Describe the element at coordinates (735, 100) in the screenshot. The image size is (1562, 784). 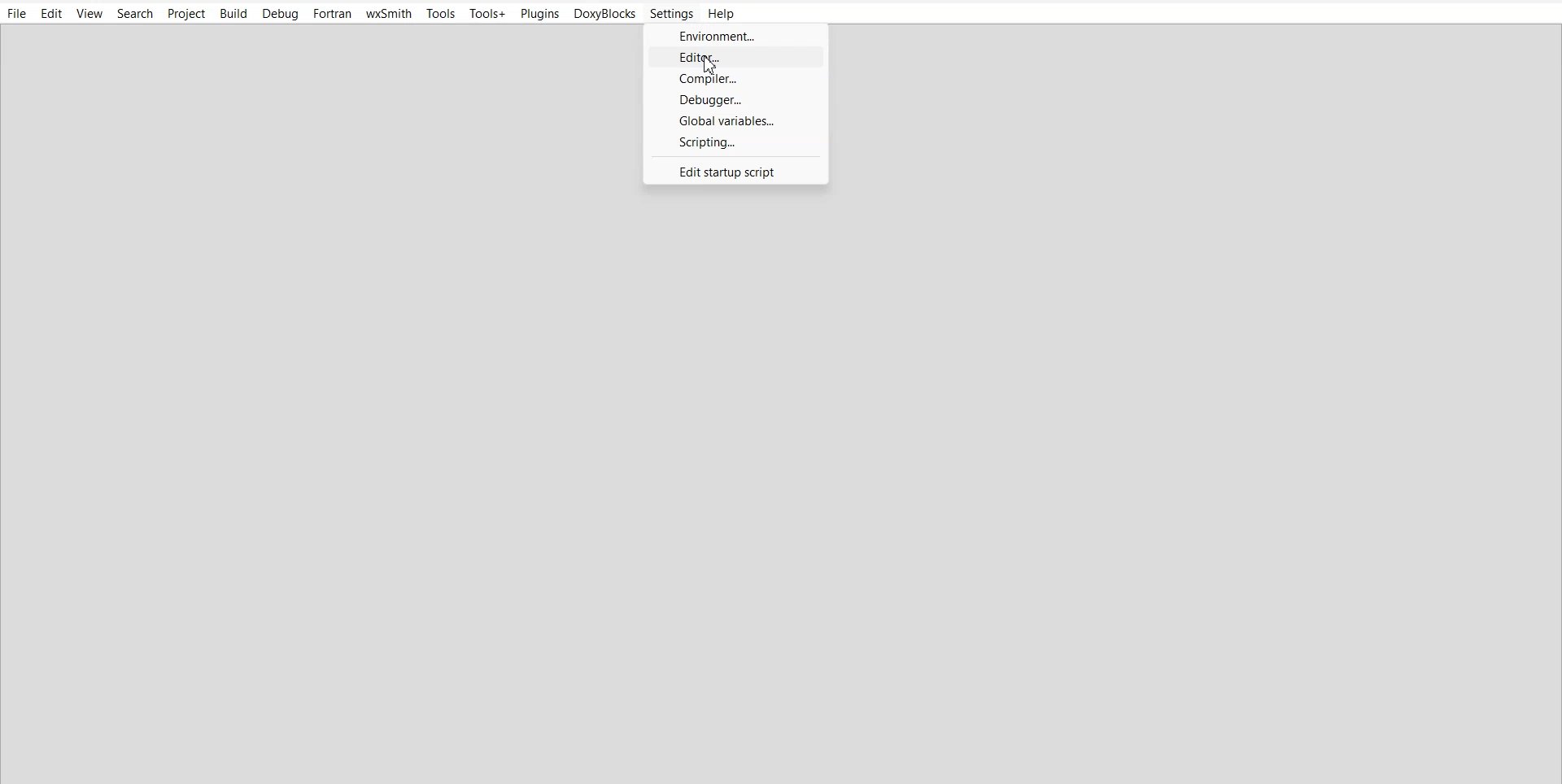
I see `Debugger` at that location.